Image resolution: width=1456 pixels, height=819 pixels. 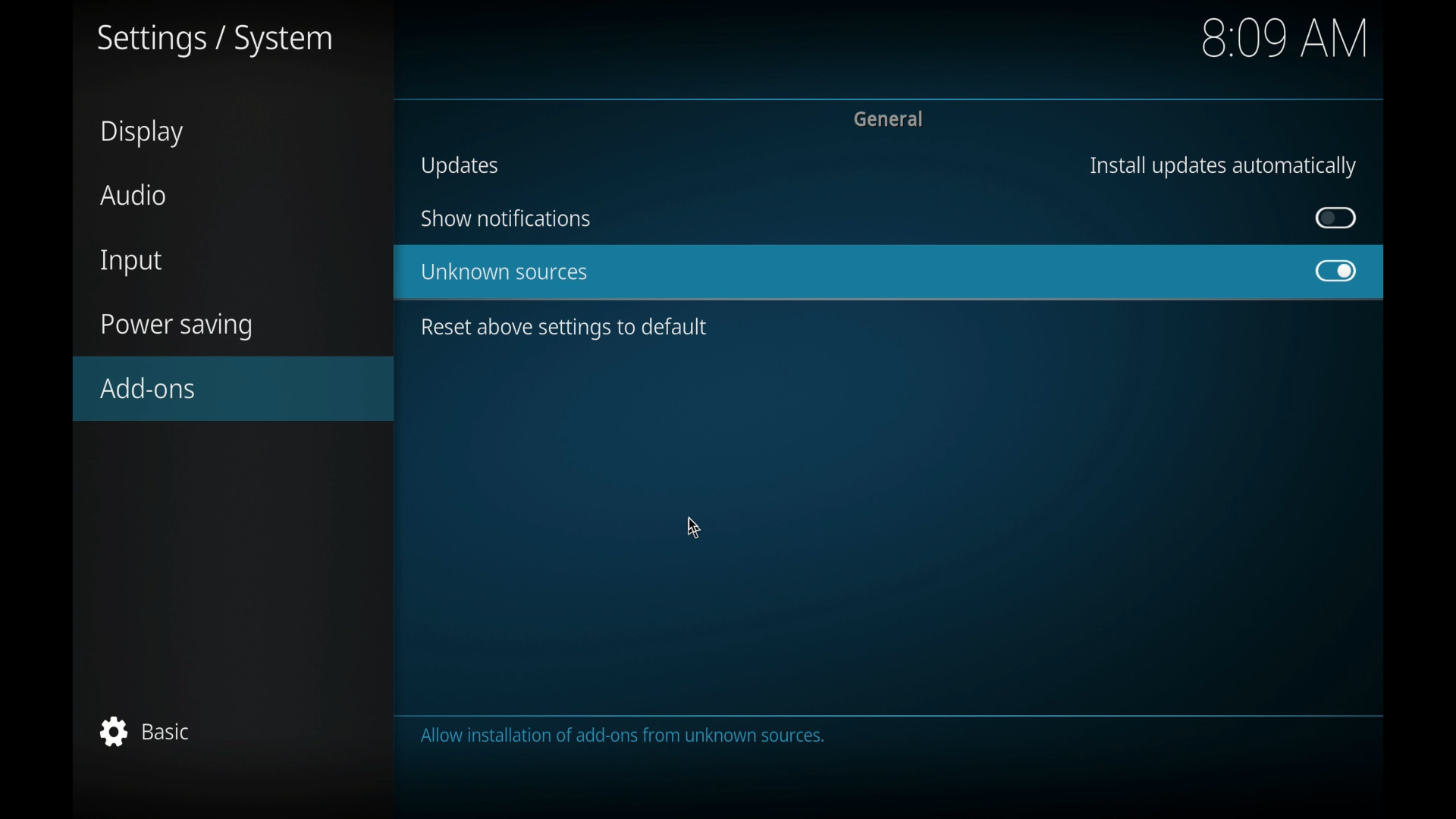 What do you see at coordinates (133, 263) in the screenshot?
I see `input` at bounding box center [133, 263].